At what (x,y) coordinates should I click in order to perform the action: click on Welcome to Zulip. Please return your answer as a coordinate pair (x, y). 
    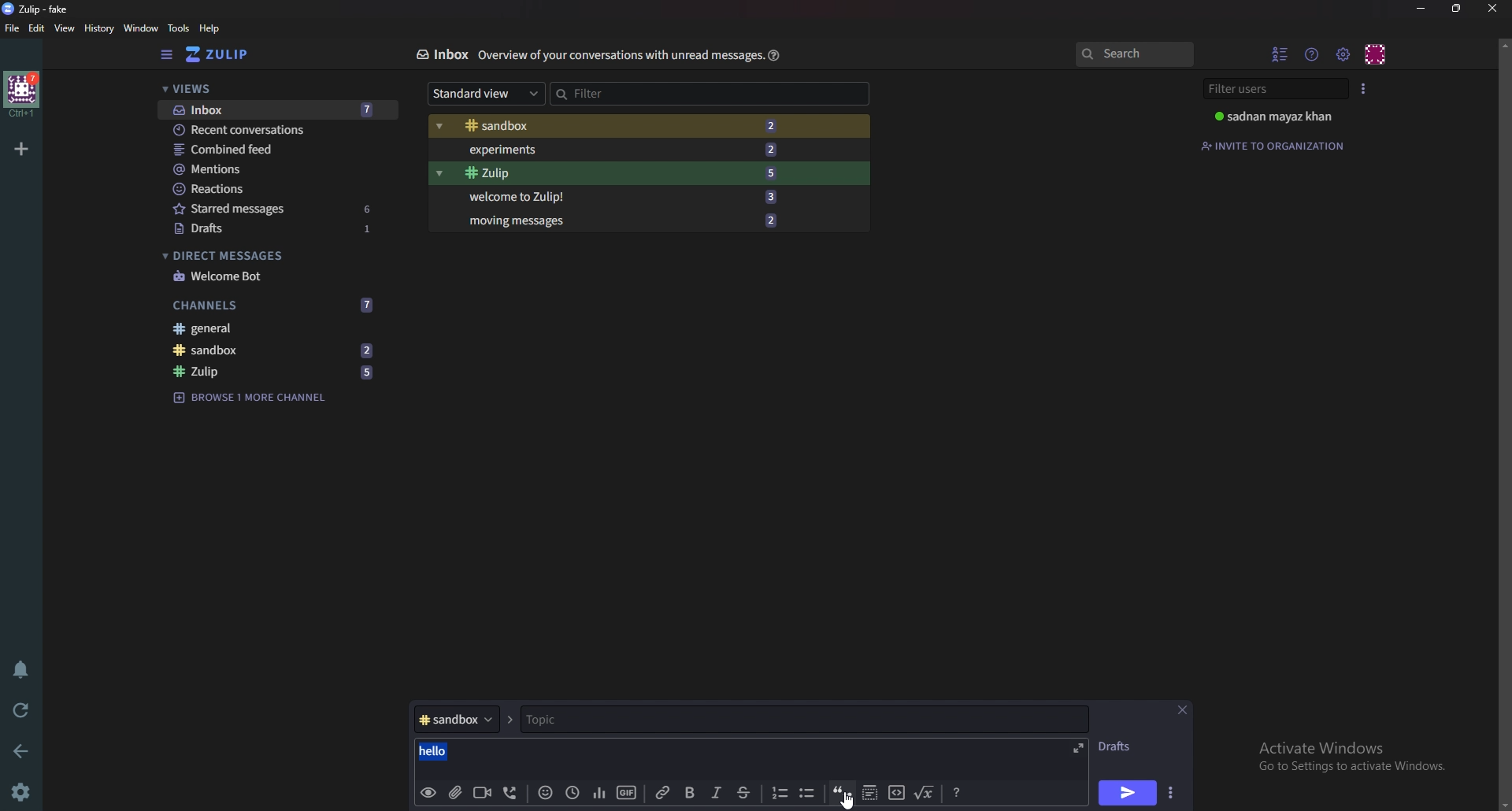
    Looking at the image, I should click on (533, 197).